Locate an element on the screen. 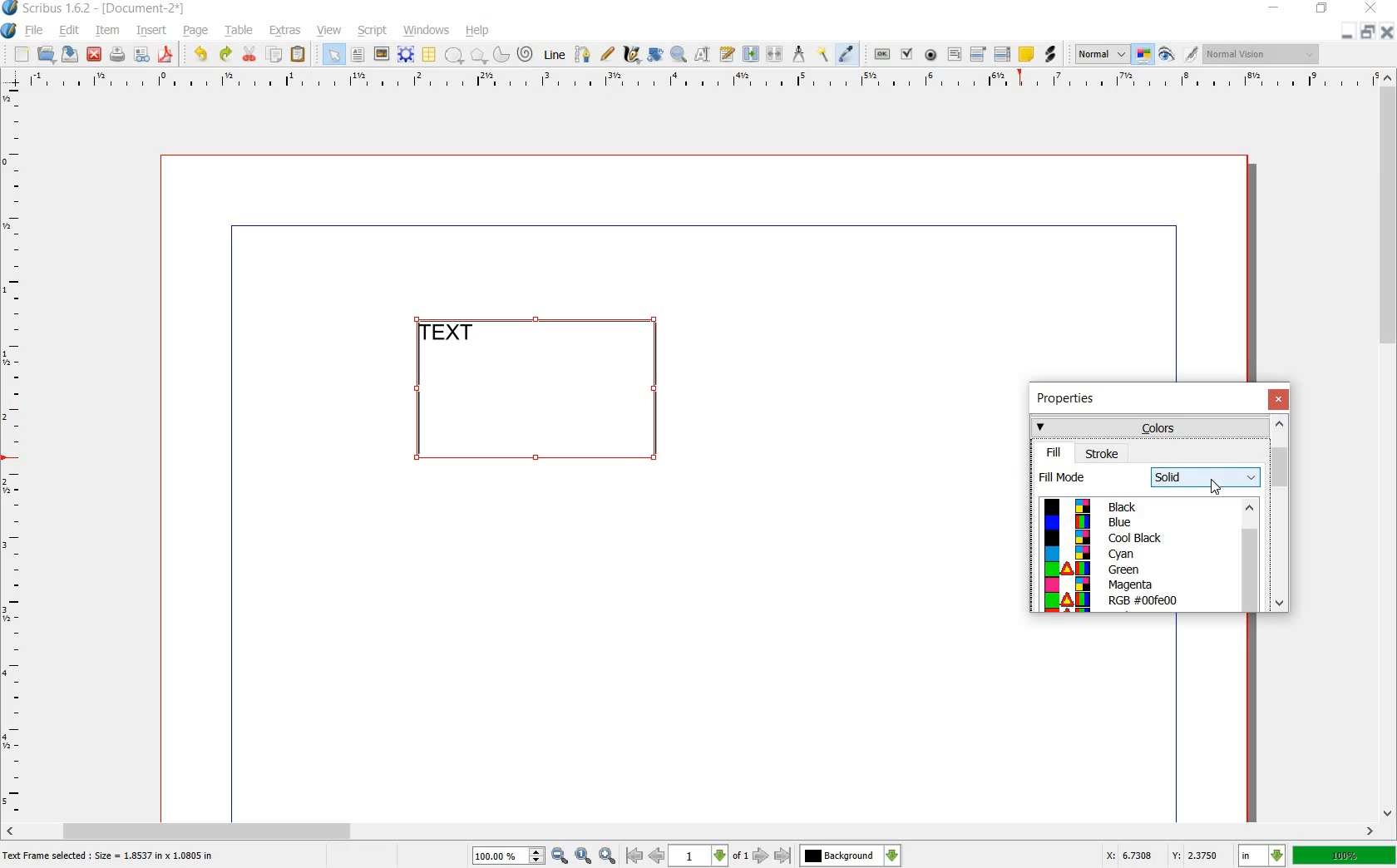 This screenshot has width=1397, height=868. properties is located at coordinates (1071, 400).